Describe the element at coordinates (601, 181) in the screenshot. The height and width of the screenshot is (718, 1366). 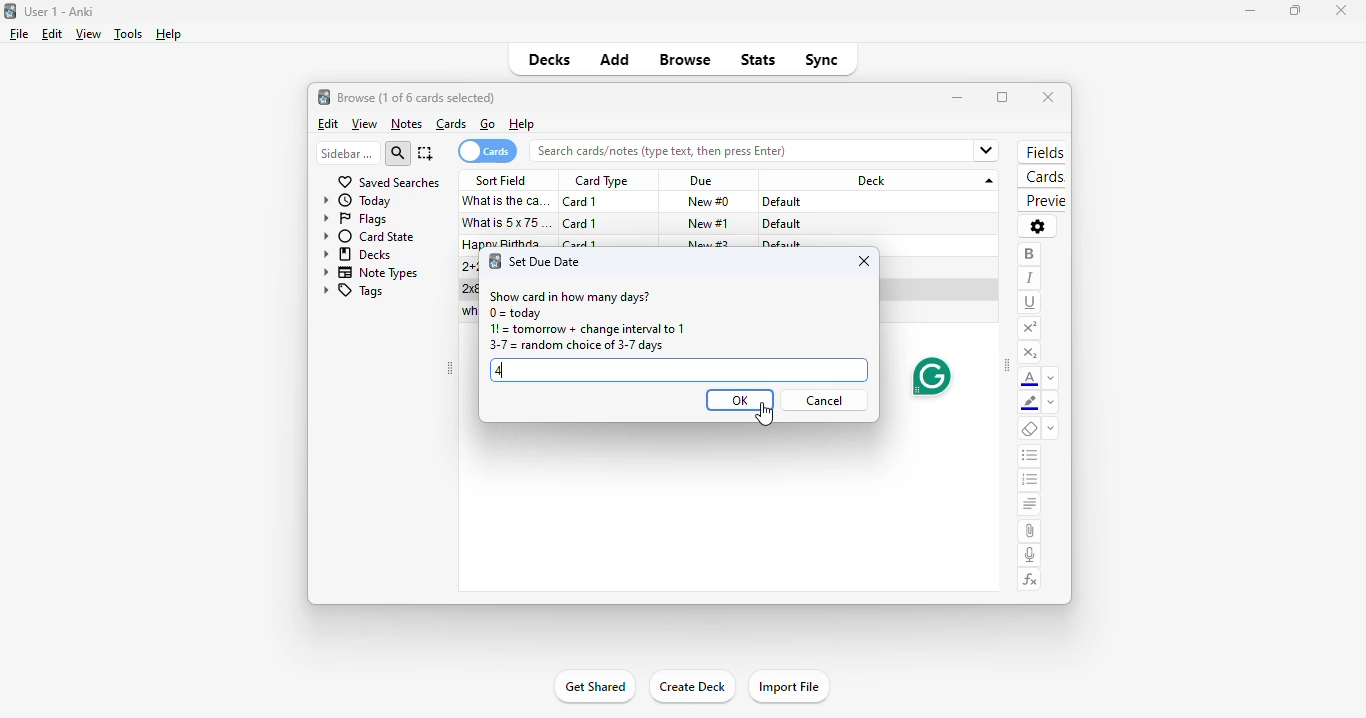
I see `card type` at that location.